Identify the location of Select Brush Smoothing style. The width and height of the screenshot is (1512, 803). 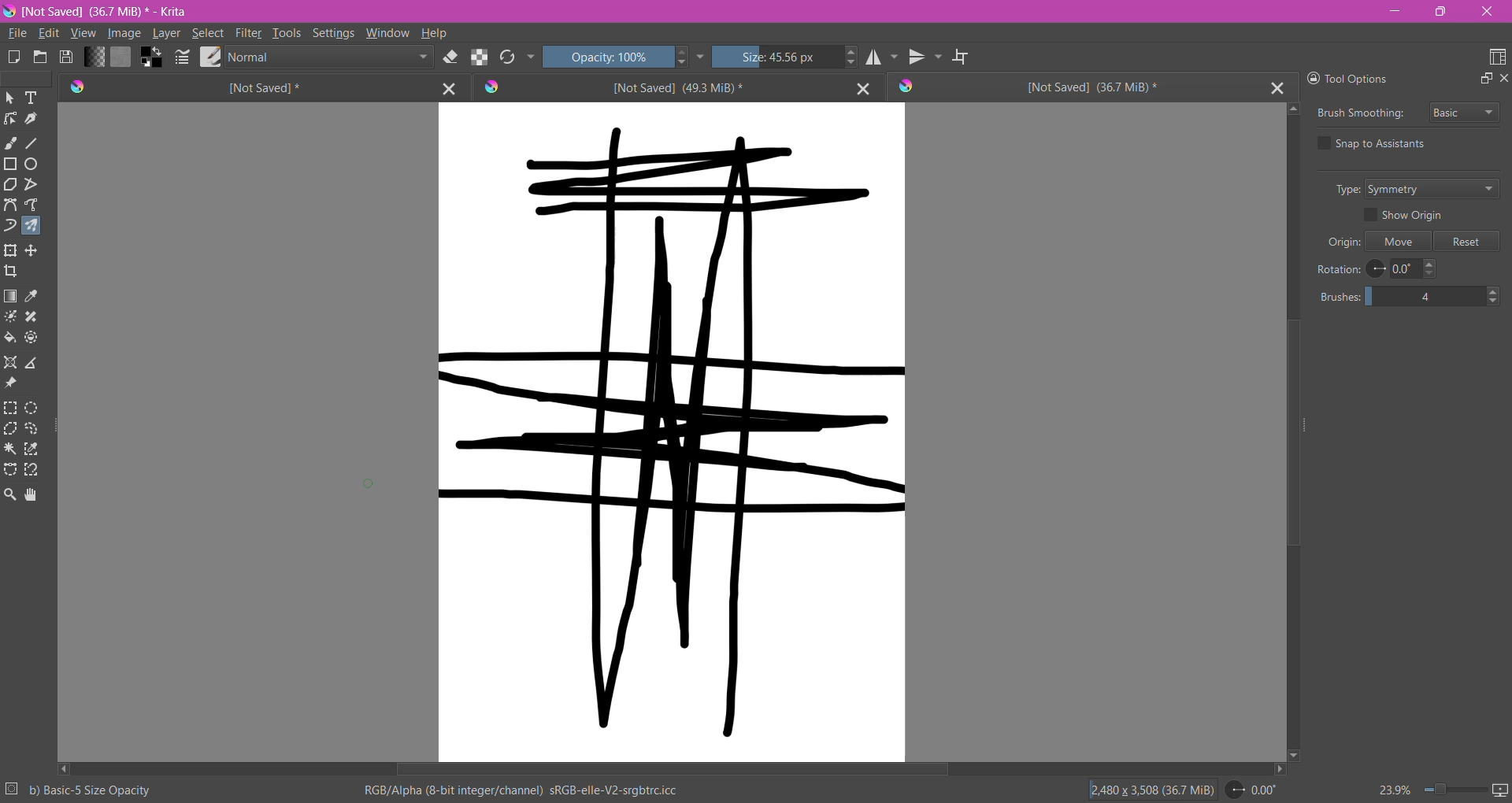
(1464, 111).